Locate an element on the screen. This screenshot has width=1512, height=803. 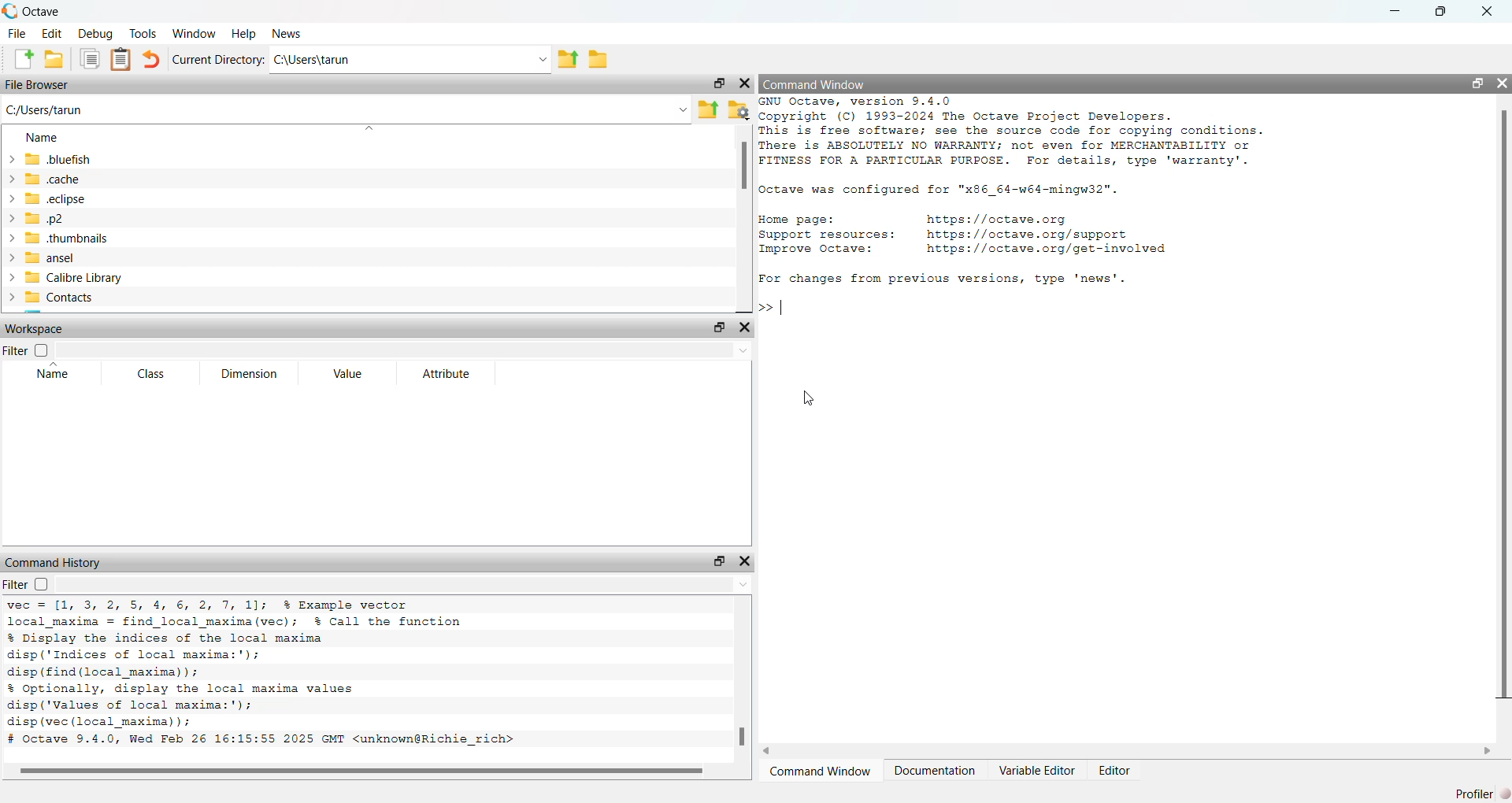
Enter text to filter the command history is located at coordinates (406, 585).